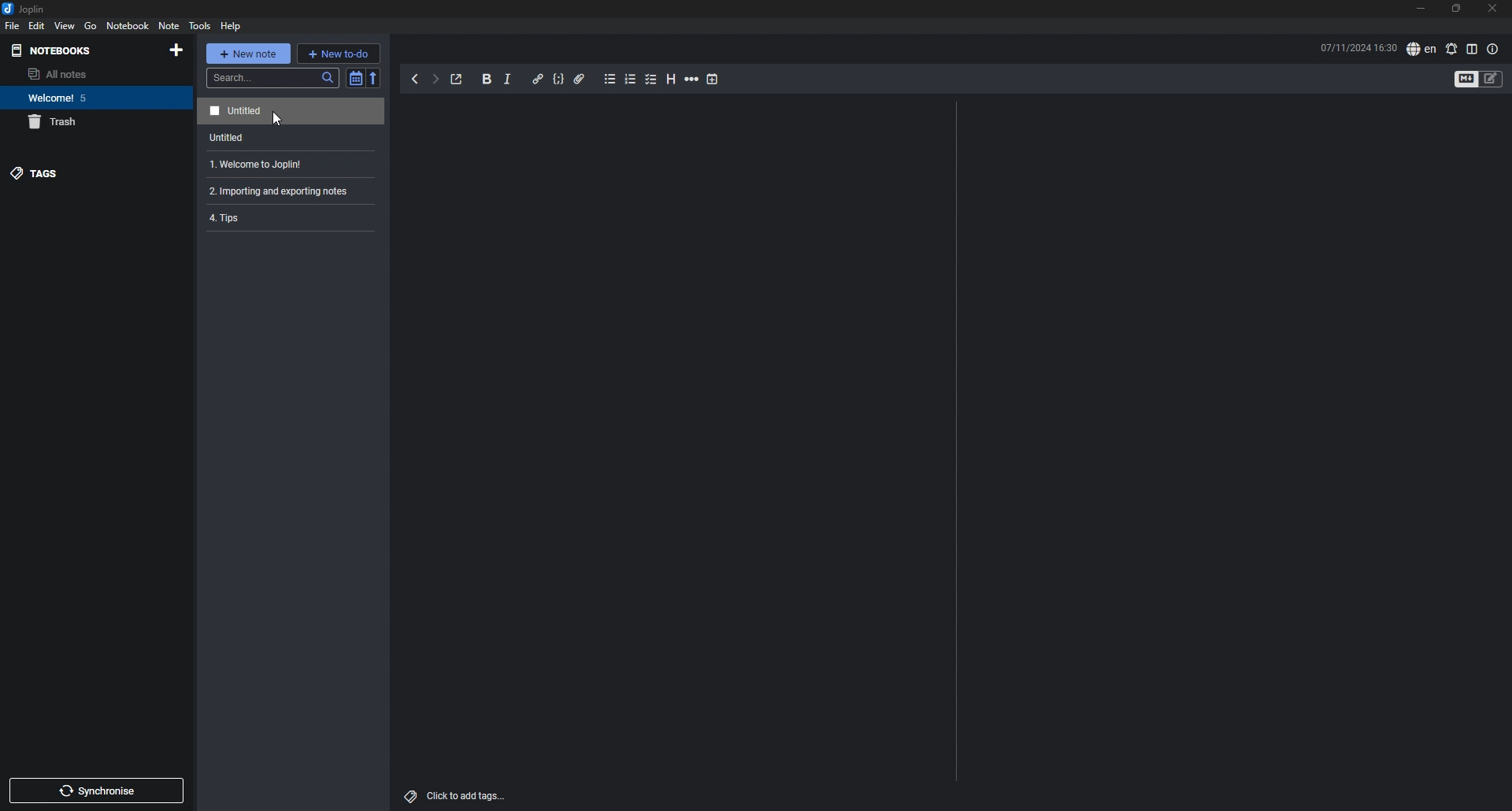  Describe the element at coordinates (293, 192) in the screenshot. I see `2. Importing and exporting notes:` at that location.